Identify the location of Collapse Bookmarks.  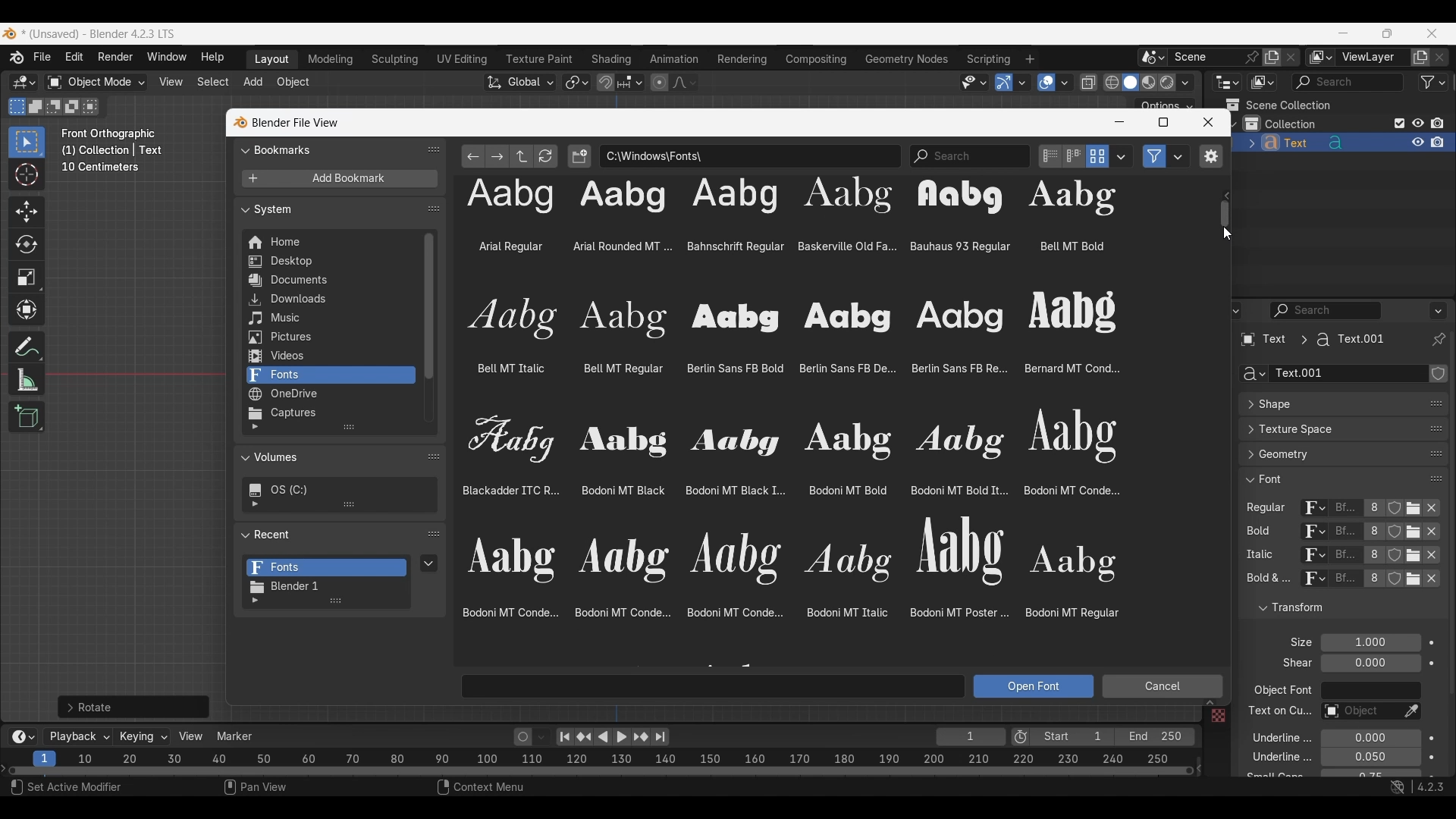
(329, 149).